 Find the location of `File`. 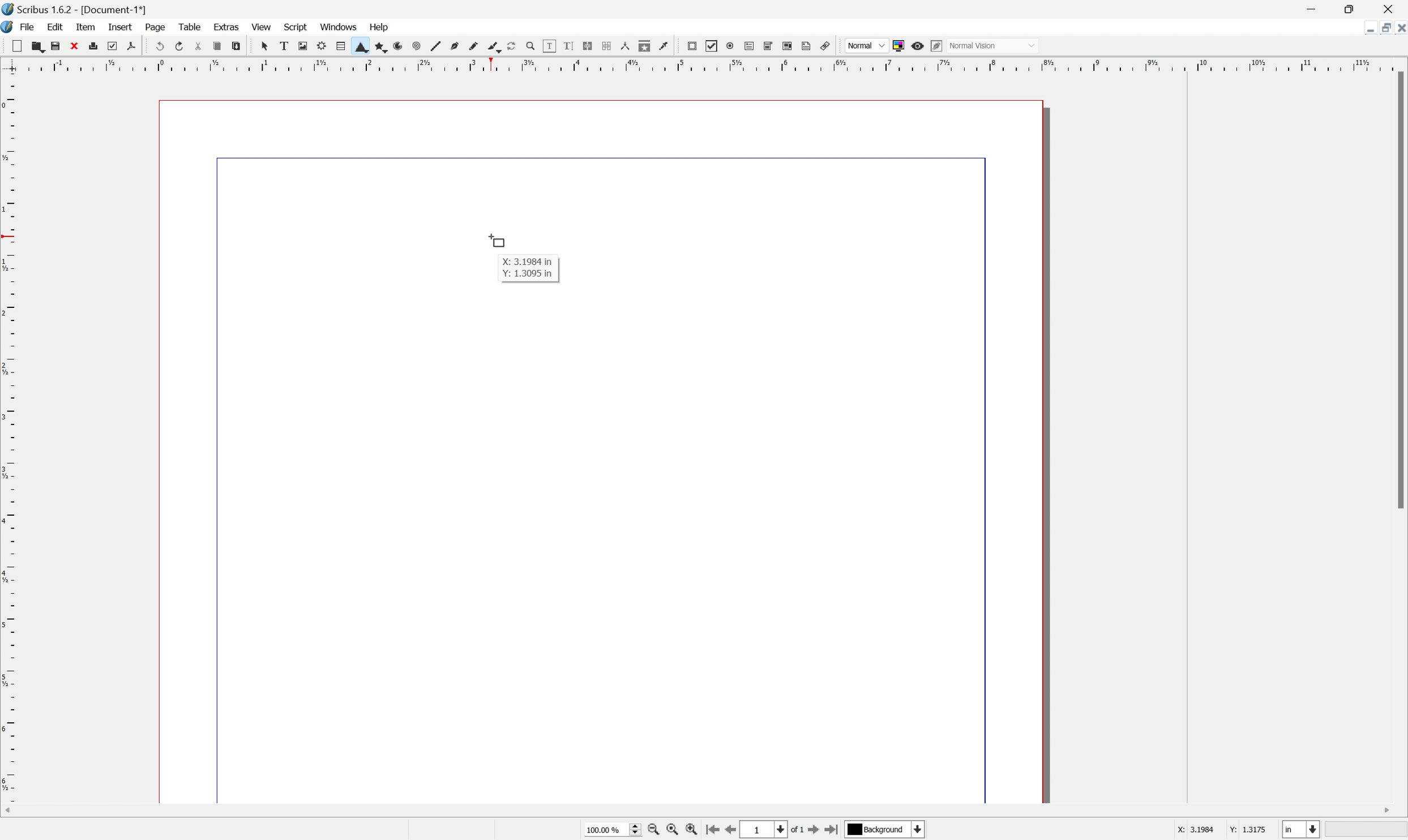

File is located at coordinates (27, 26).